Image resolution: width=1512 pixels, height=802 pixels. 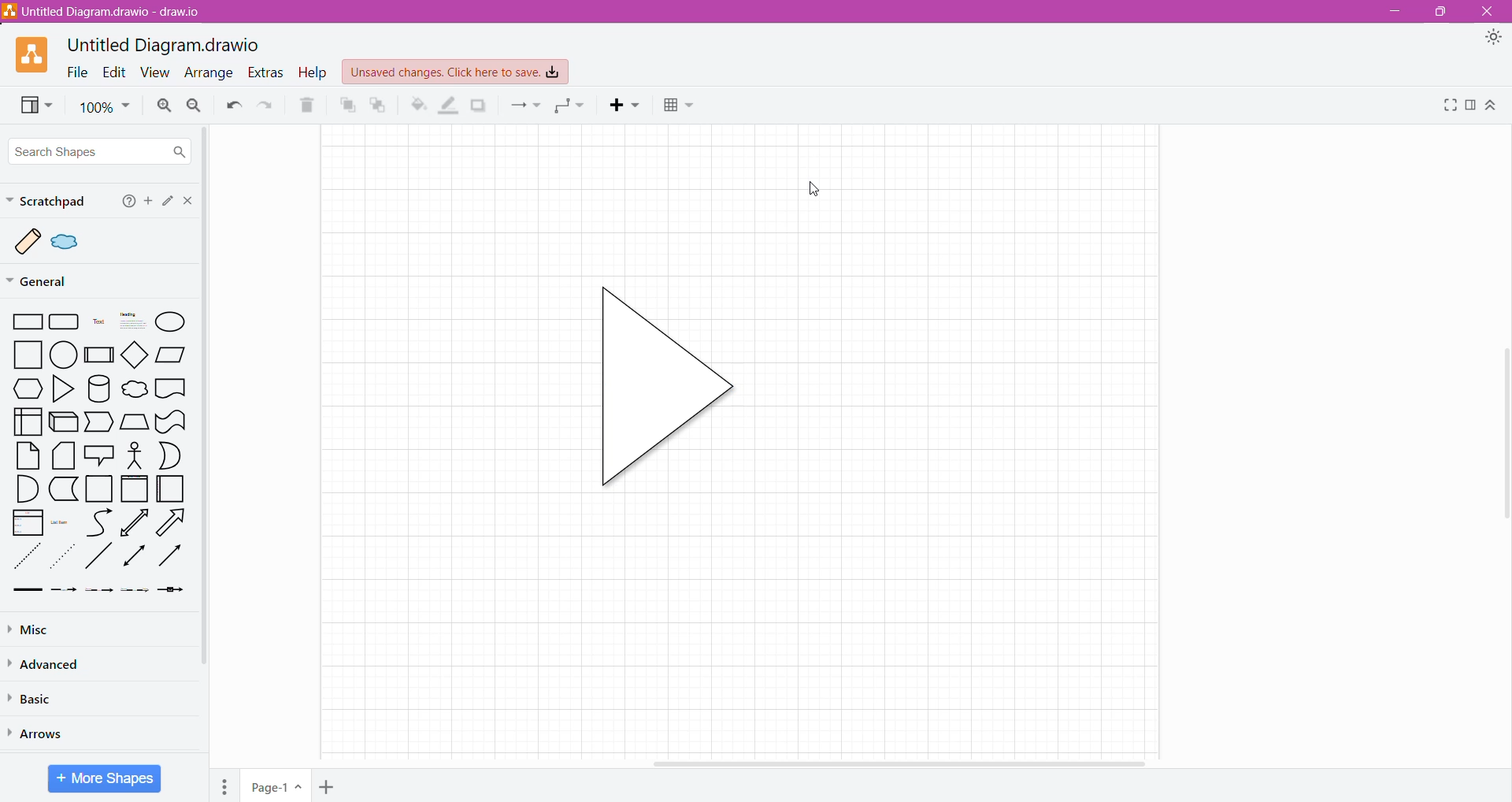 What do you see at coordinates (194, 104) in the screenshot?
I see `Zoom Out` at bounding box center [194, 104].